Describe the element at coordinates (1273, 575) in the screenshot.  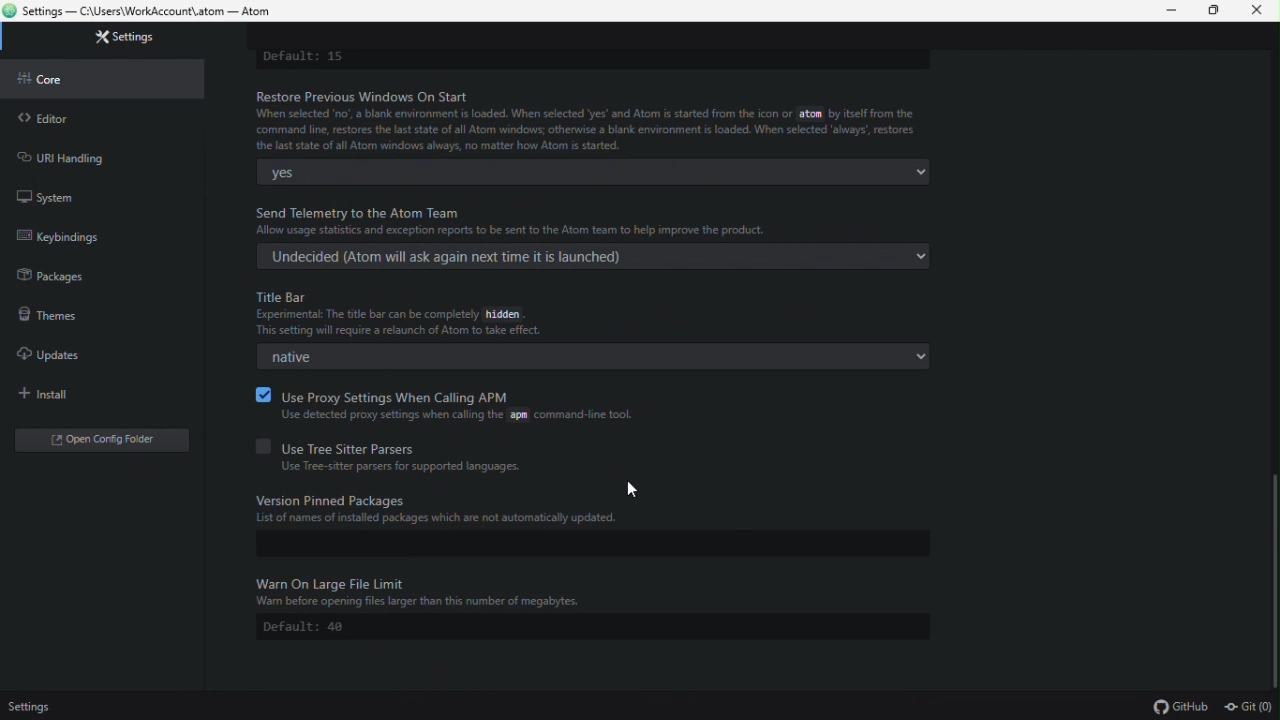
I see `scroll bar` at that location.